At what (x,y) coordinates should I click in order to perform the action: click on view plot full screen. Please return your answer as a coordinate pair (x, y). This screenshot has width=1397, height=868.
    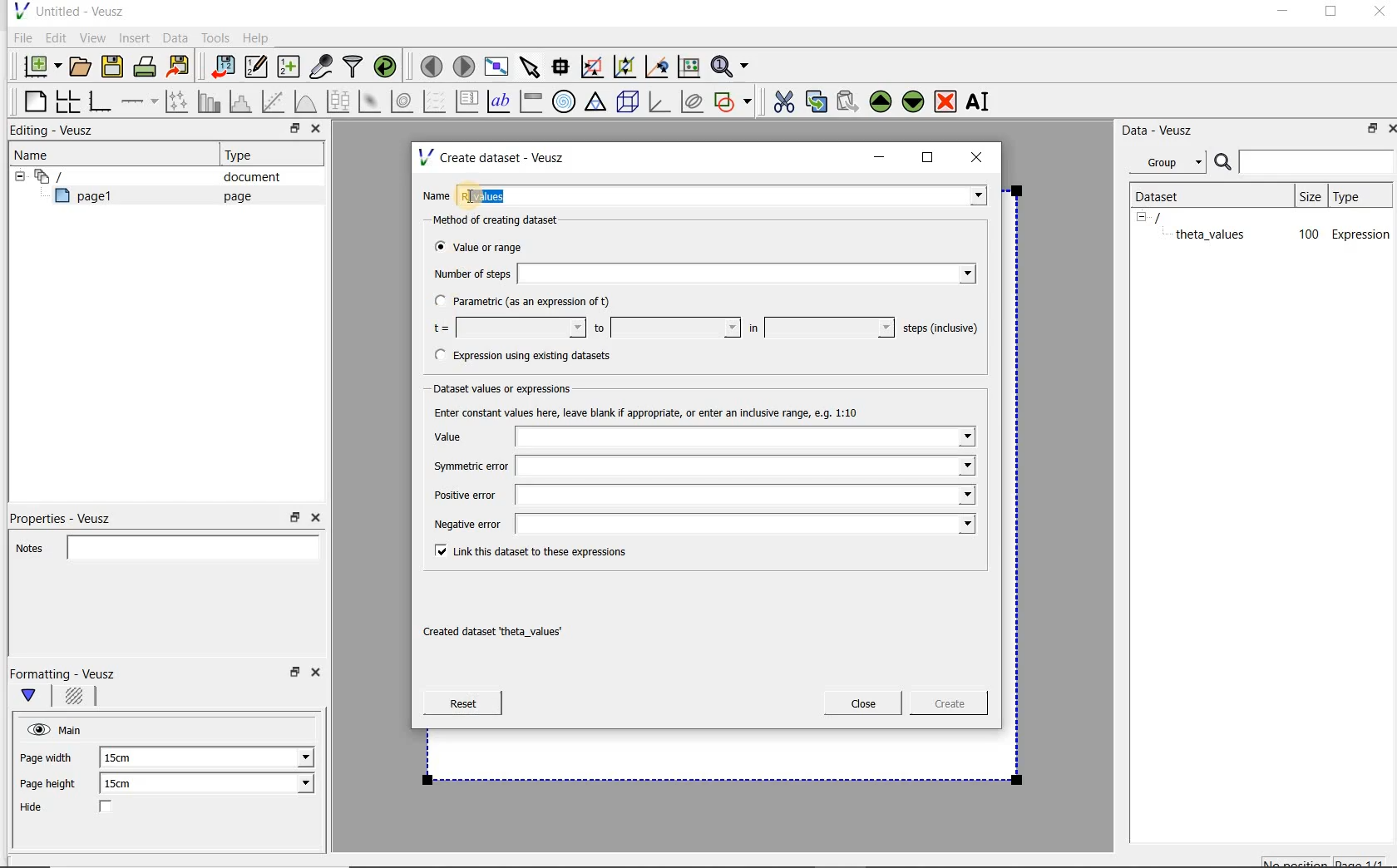
    Looking at the image, I should click on (495, 65).